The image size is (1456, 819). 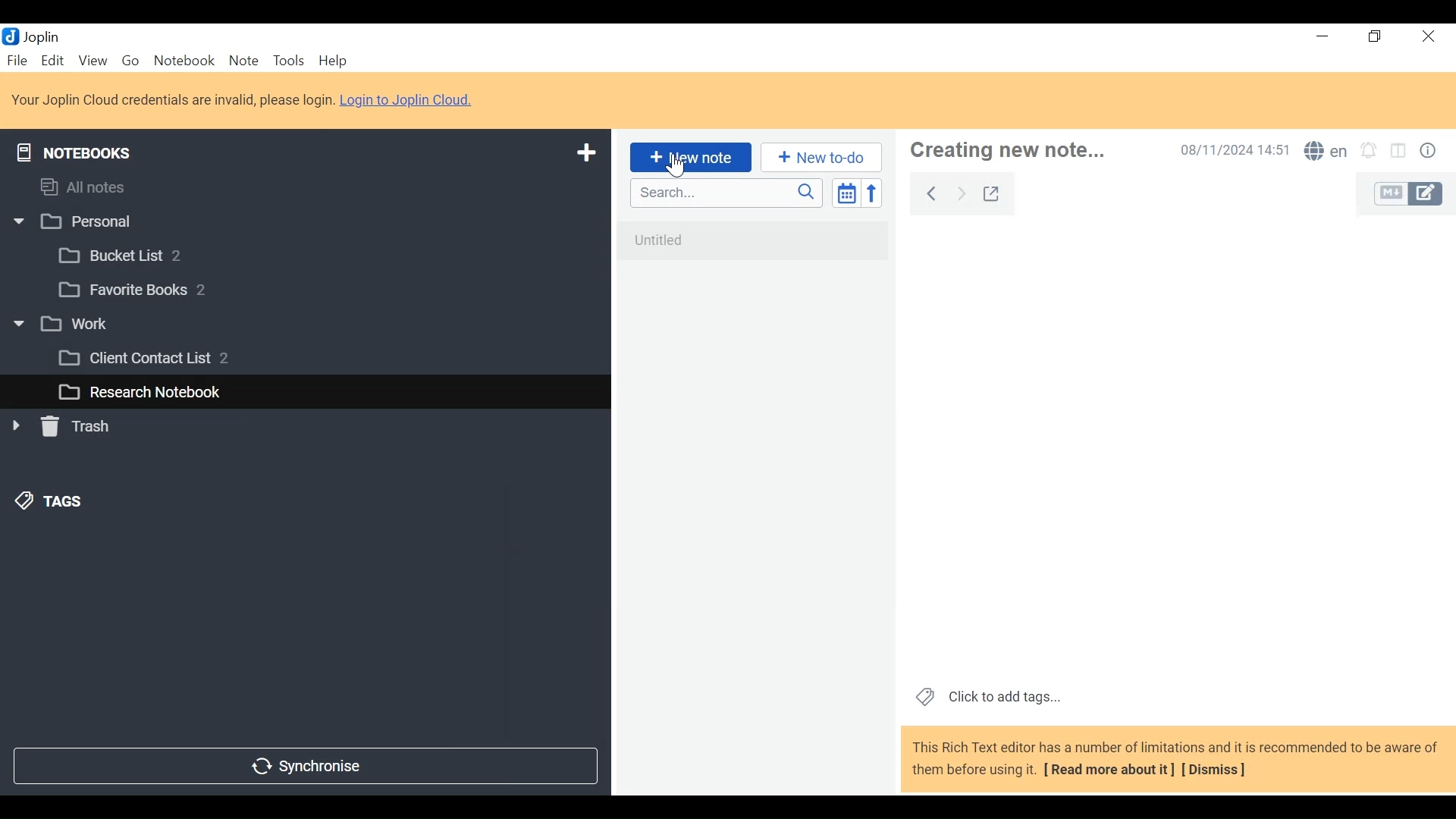 What do you see at coordinates (97, 184) in the screenshot?
I see `All notes` at bounding box center [97, 184].